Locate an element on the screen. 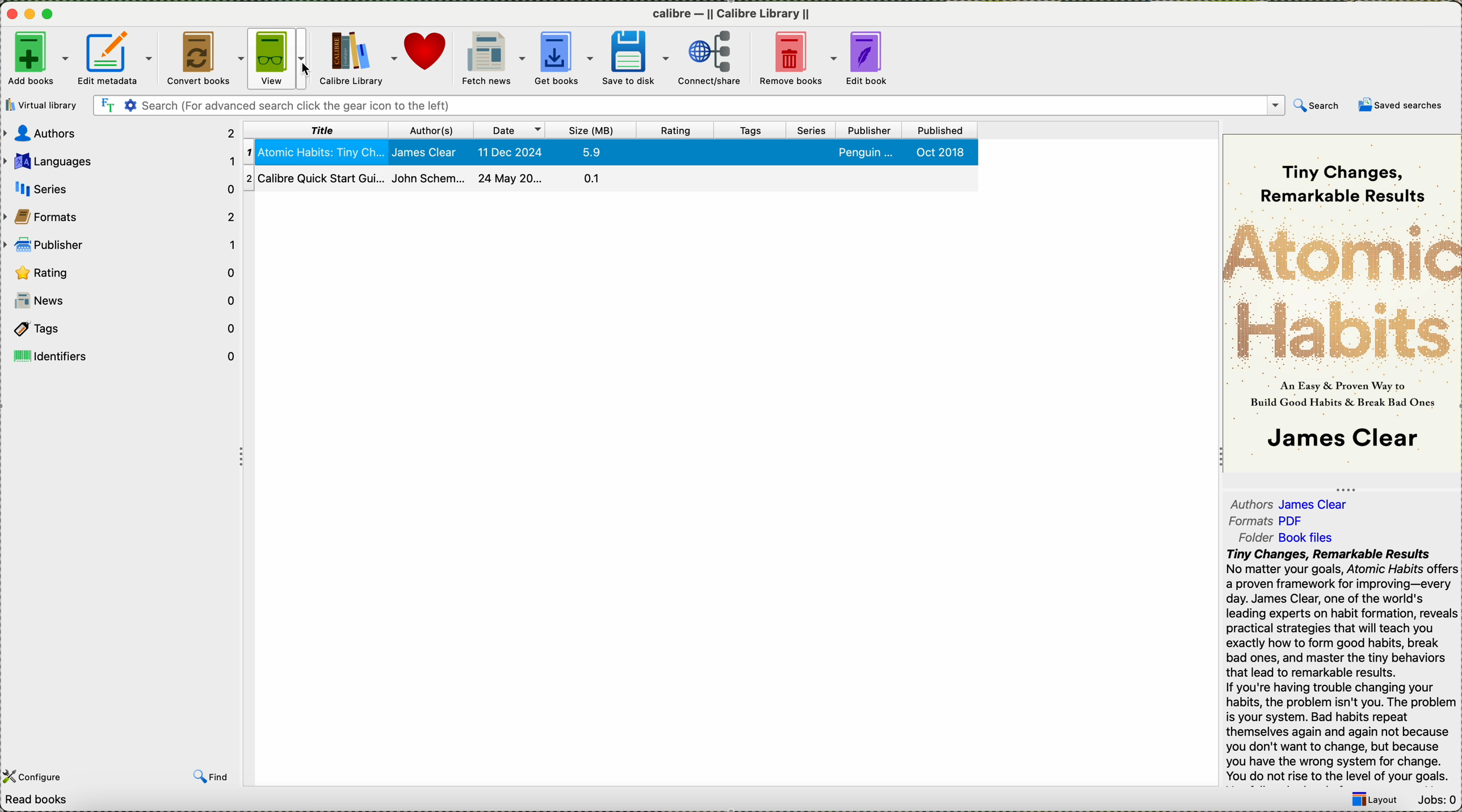  edit metadata is located at coordinates (114, 58).